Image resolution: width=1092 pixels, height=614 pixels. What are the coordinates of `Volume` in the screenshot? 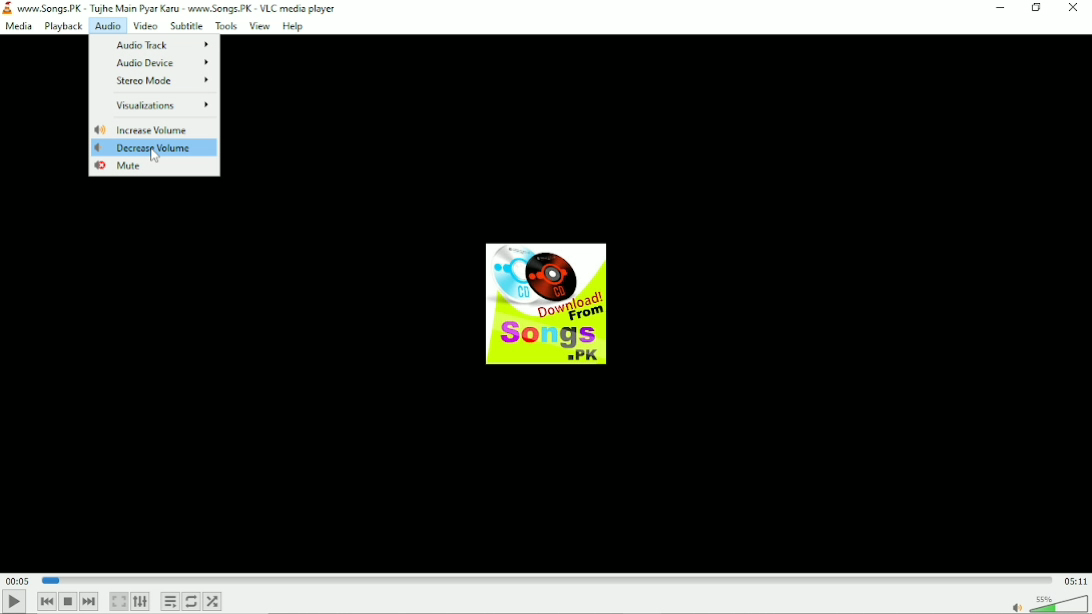 It's located at (1048, 602).